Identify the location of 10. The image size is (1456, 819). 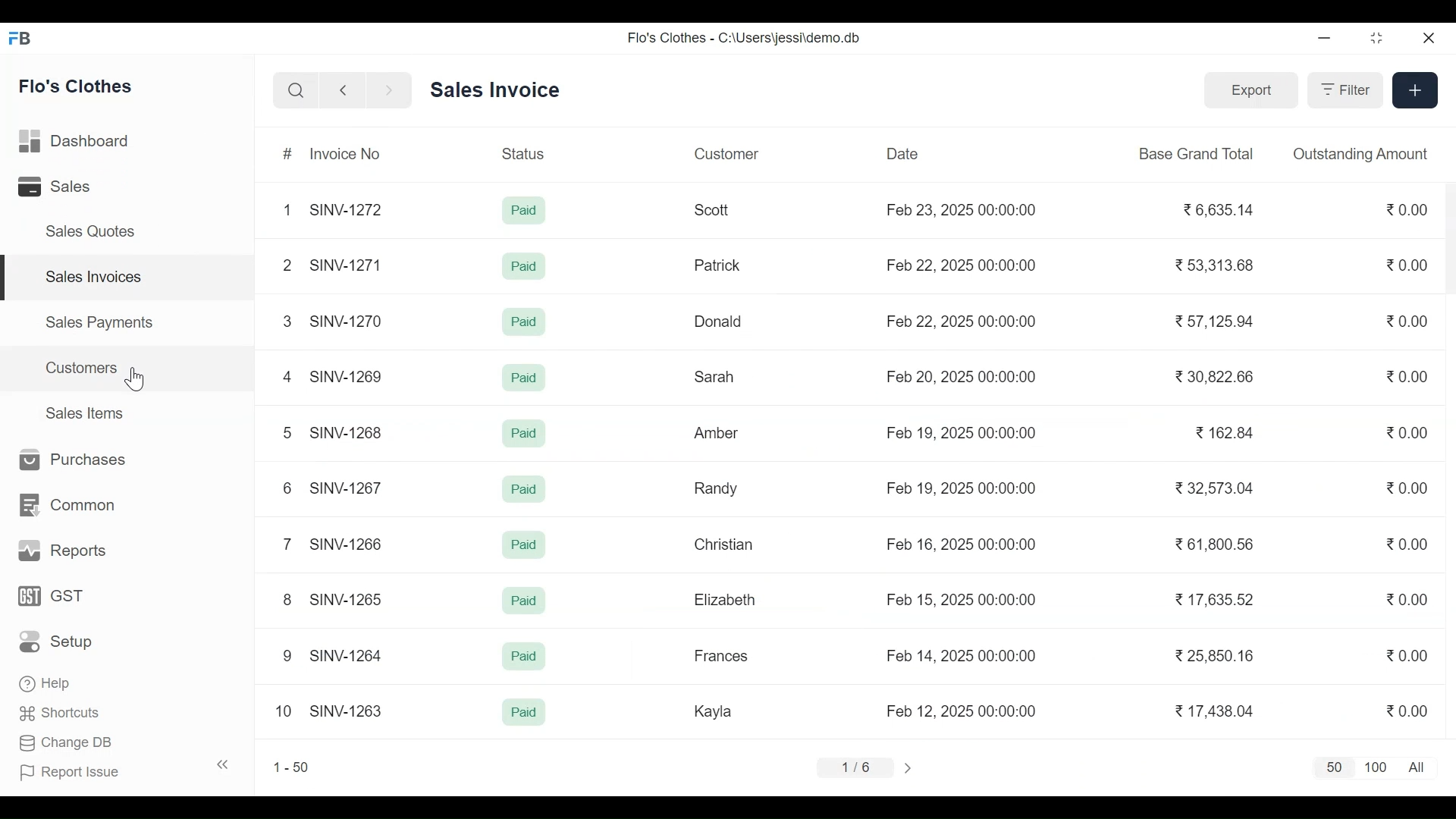
(284, 711).